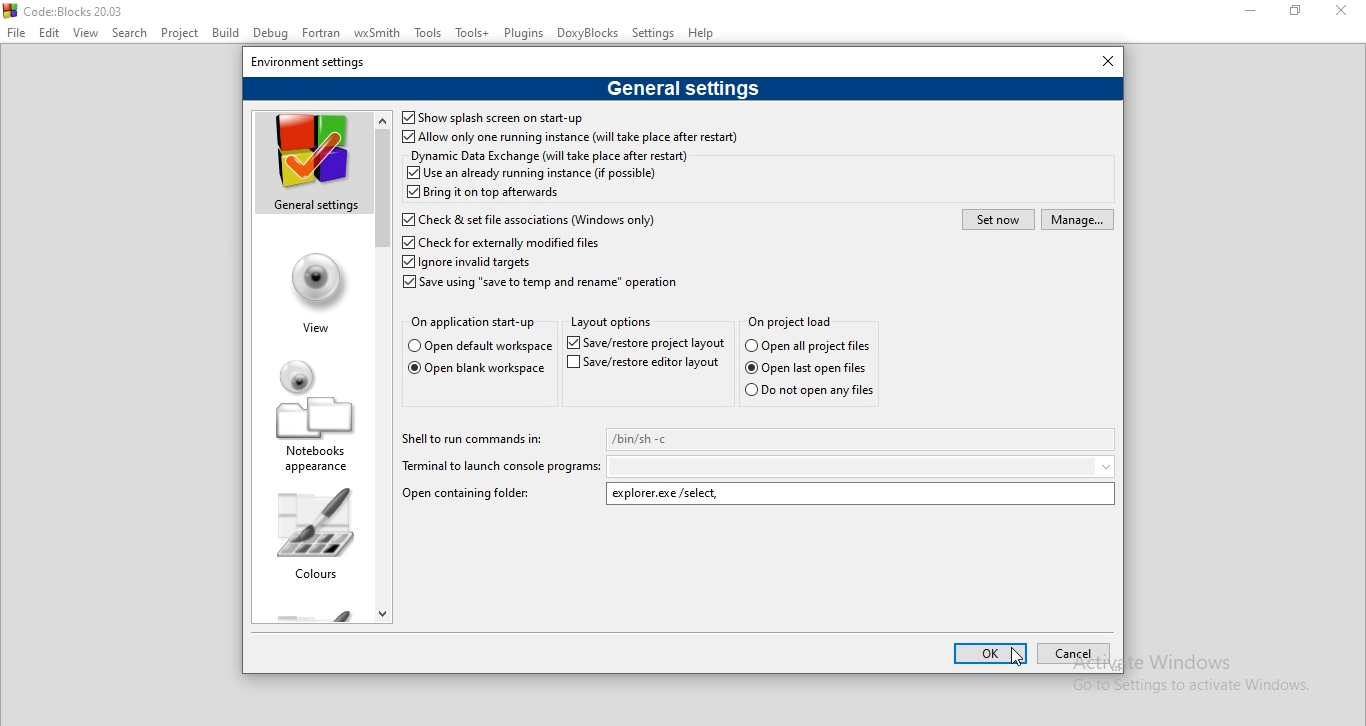  What do you see at coordinates (319, 33) in the screenshot?
I see `Fortran` at bounding box center [319, 33].